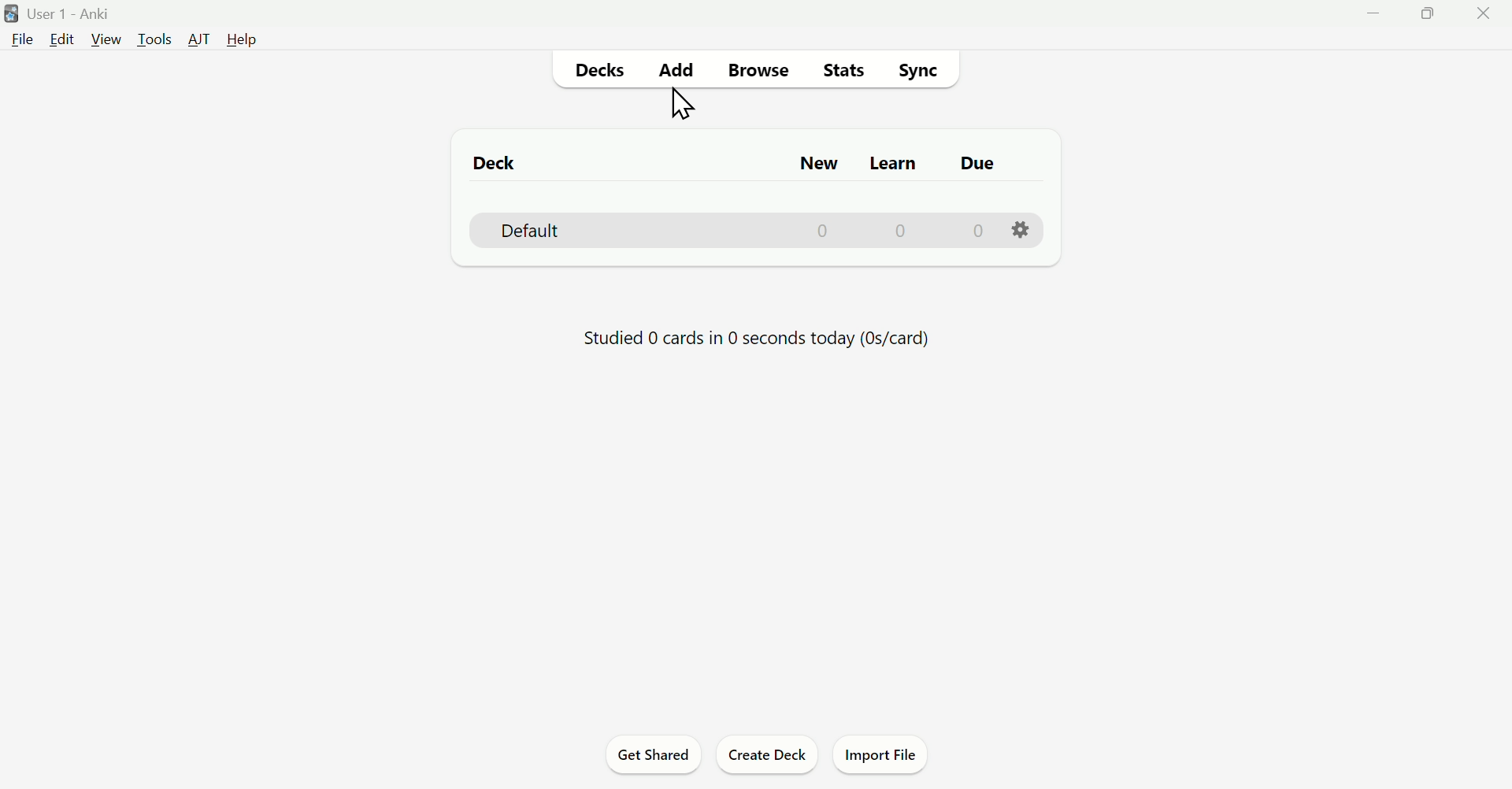 The height and width of the screenshot is (789, 1512). I want to click on Learn, so click(892, 163).